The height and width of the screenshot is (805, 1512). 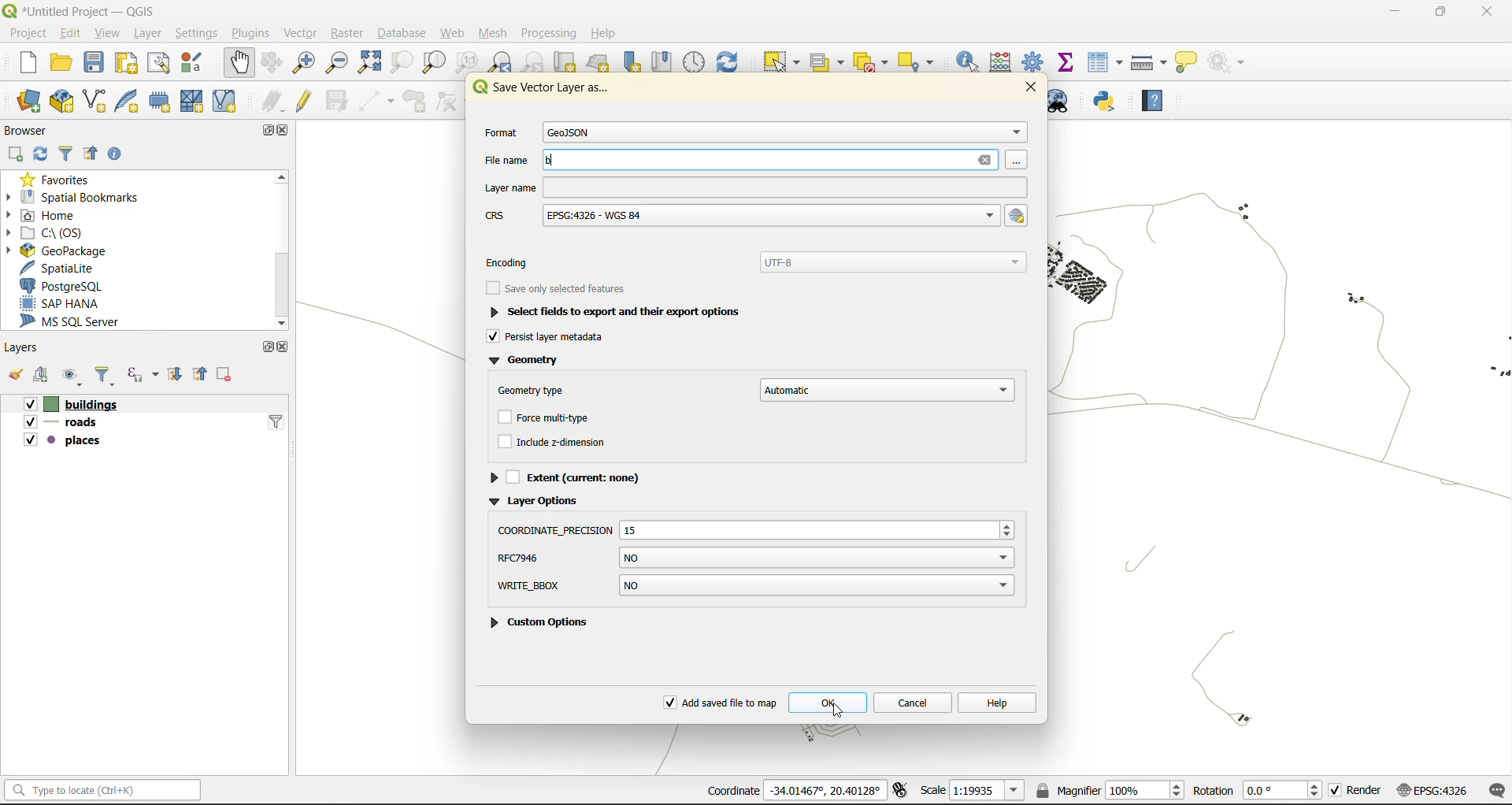 I want to click on no action, so click(x=1232, y=62).